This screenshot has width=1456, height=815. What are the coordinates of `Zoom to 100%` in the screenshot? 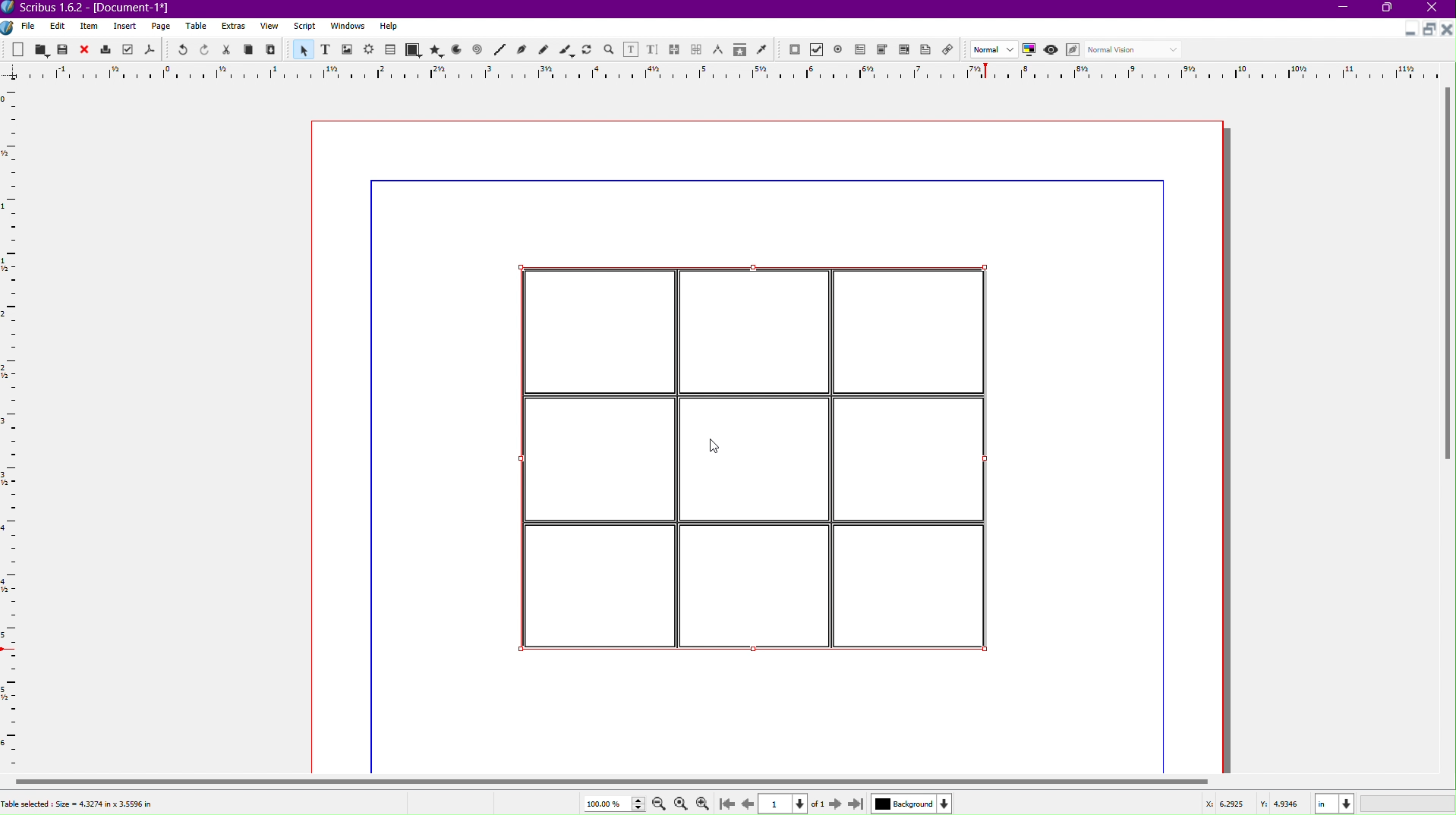 It's located at (680, 801).